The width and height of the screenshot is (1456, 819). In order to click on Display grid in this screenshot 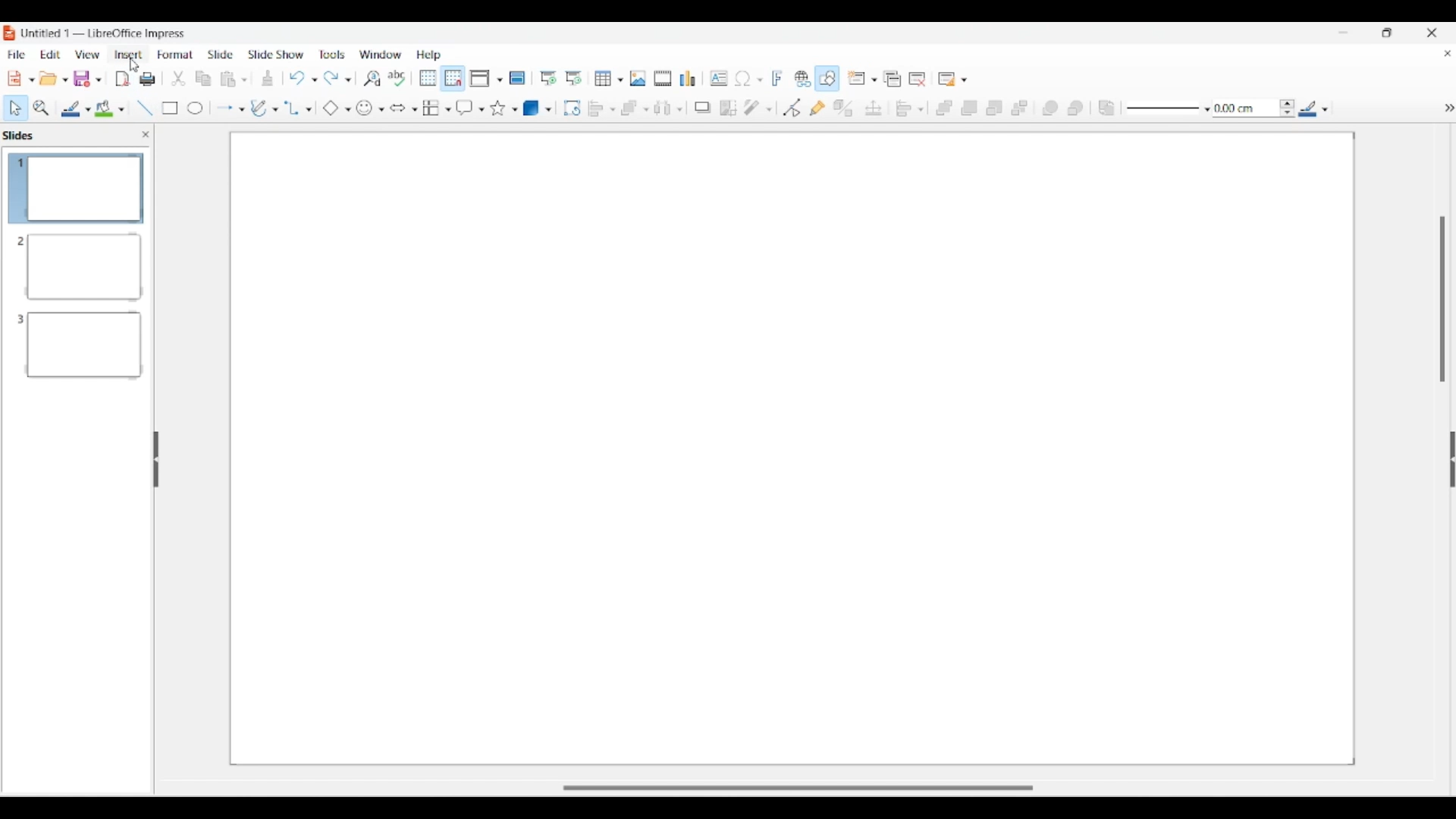, I will do `click(428, 78)`.